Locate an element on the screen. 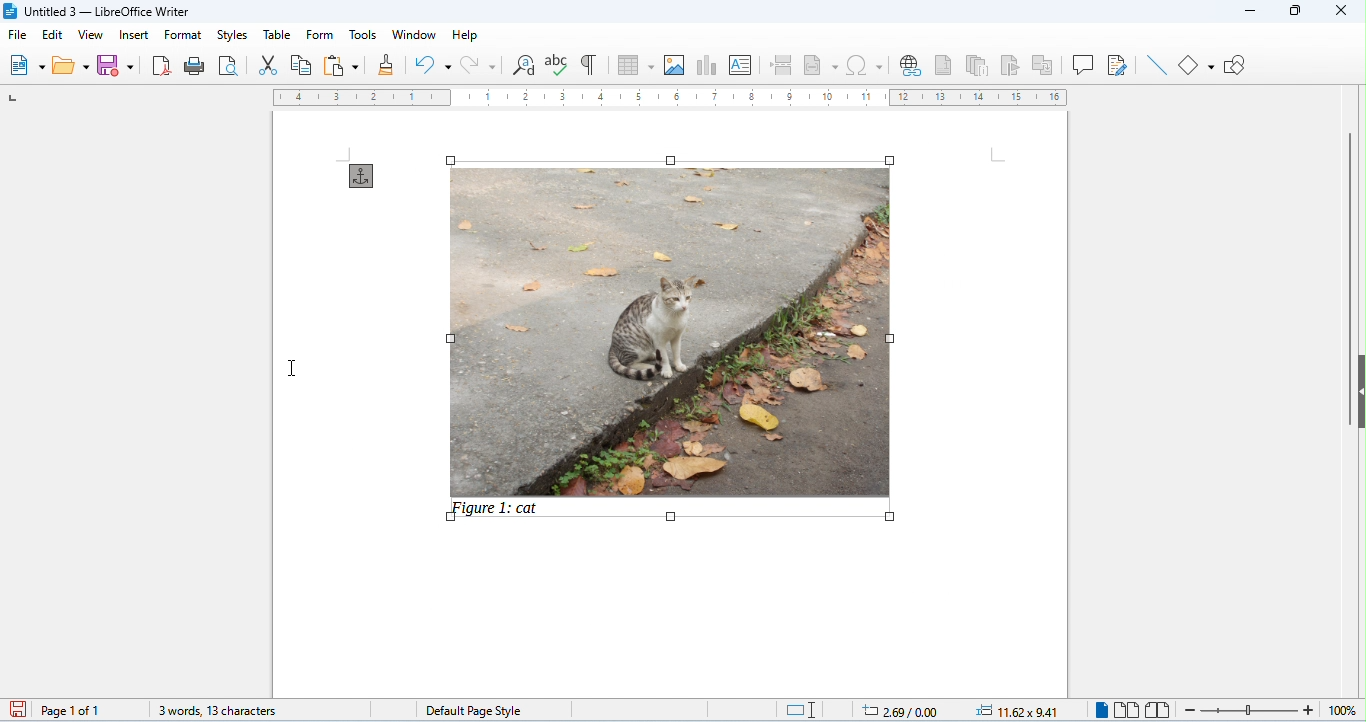 Image resolution: width=1366 pixels, height=722 pixels. new is located at coordinates (28, 65).